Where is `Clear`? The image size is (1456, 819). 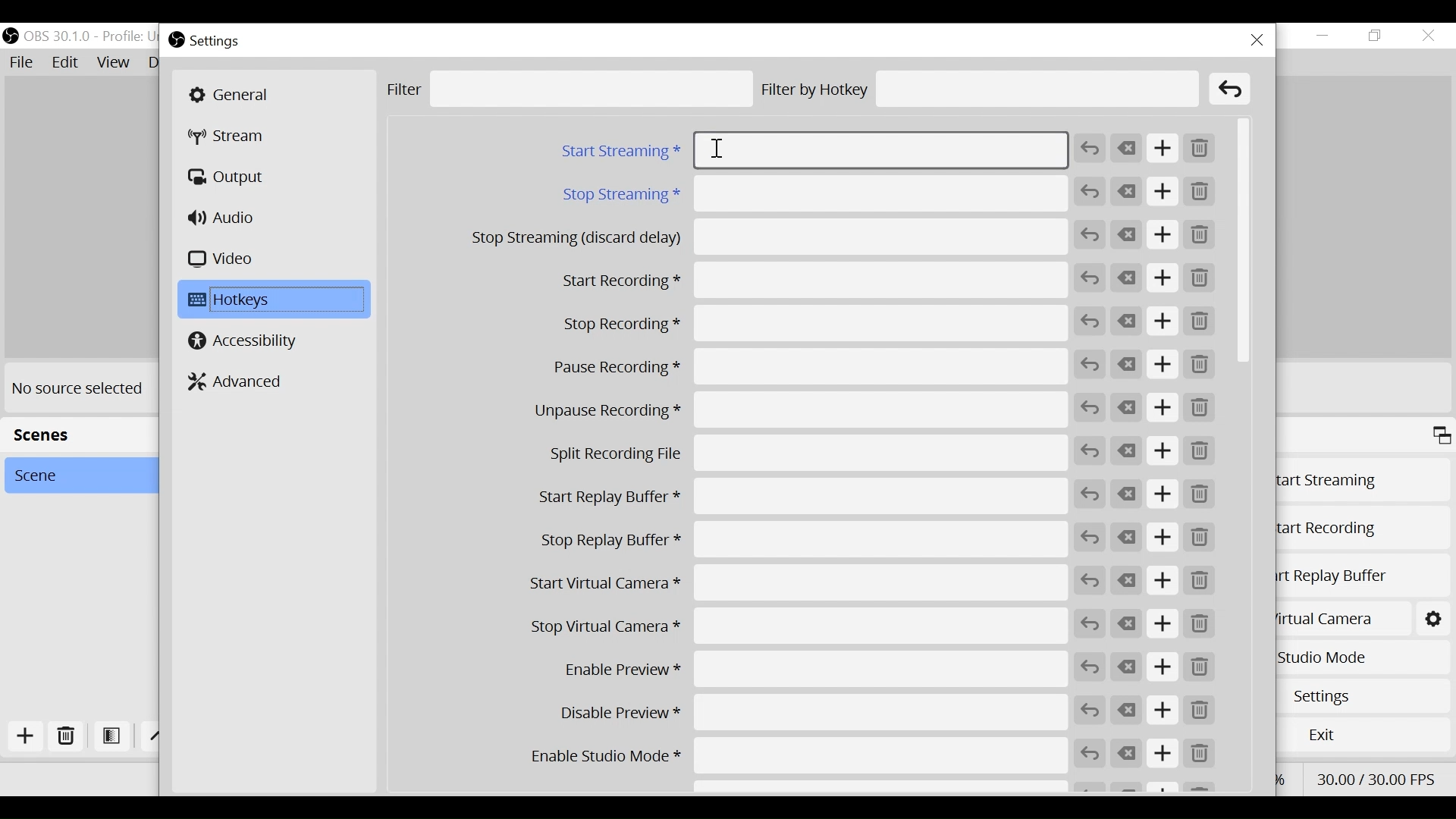
Clear is located at coordinates (1128, 625).